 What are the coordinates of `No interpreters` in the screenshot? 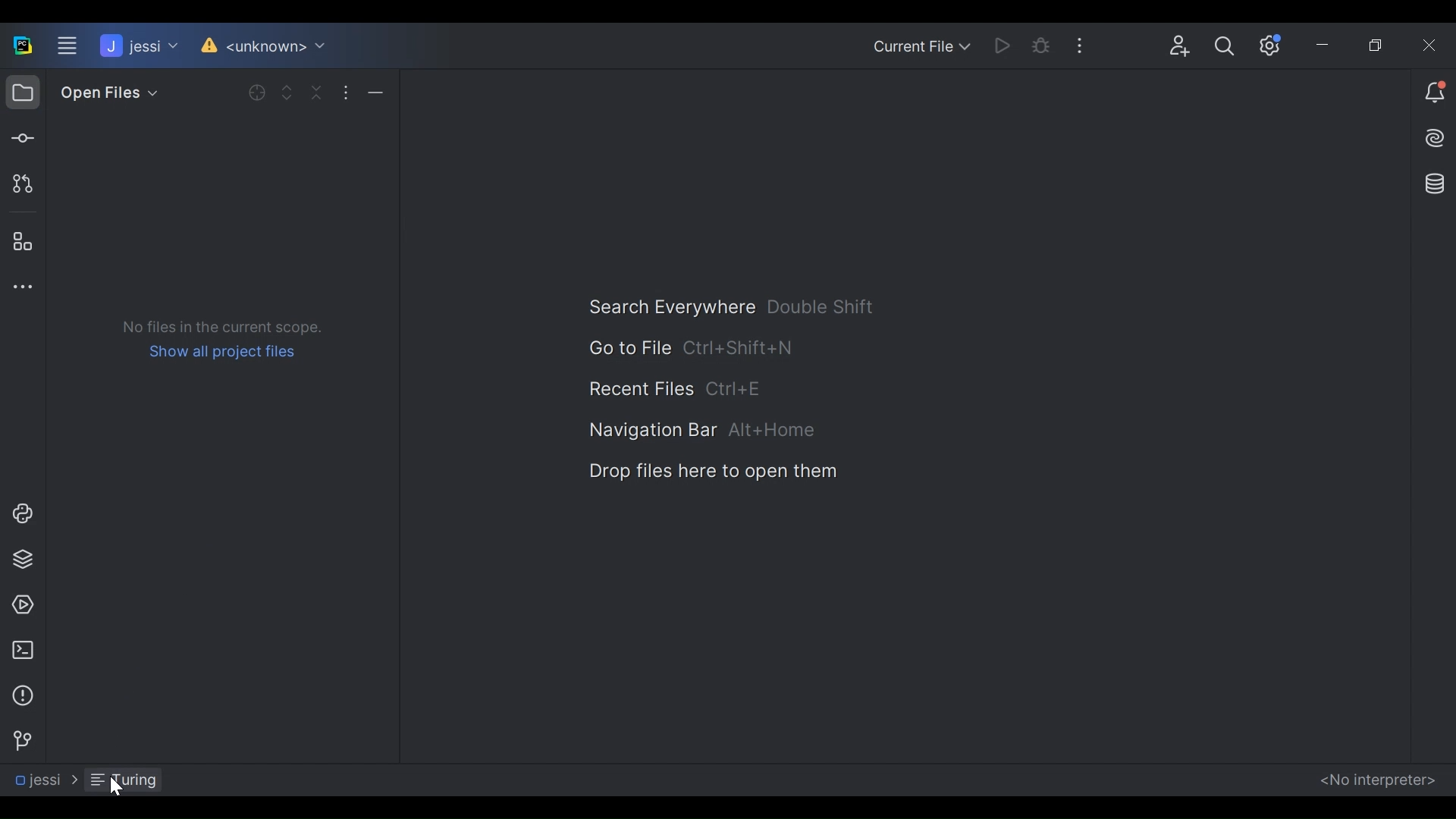 It's located at (1377, 782).